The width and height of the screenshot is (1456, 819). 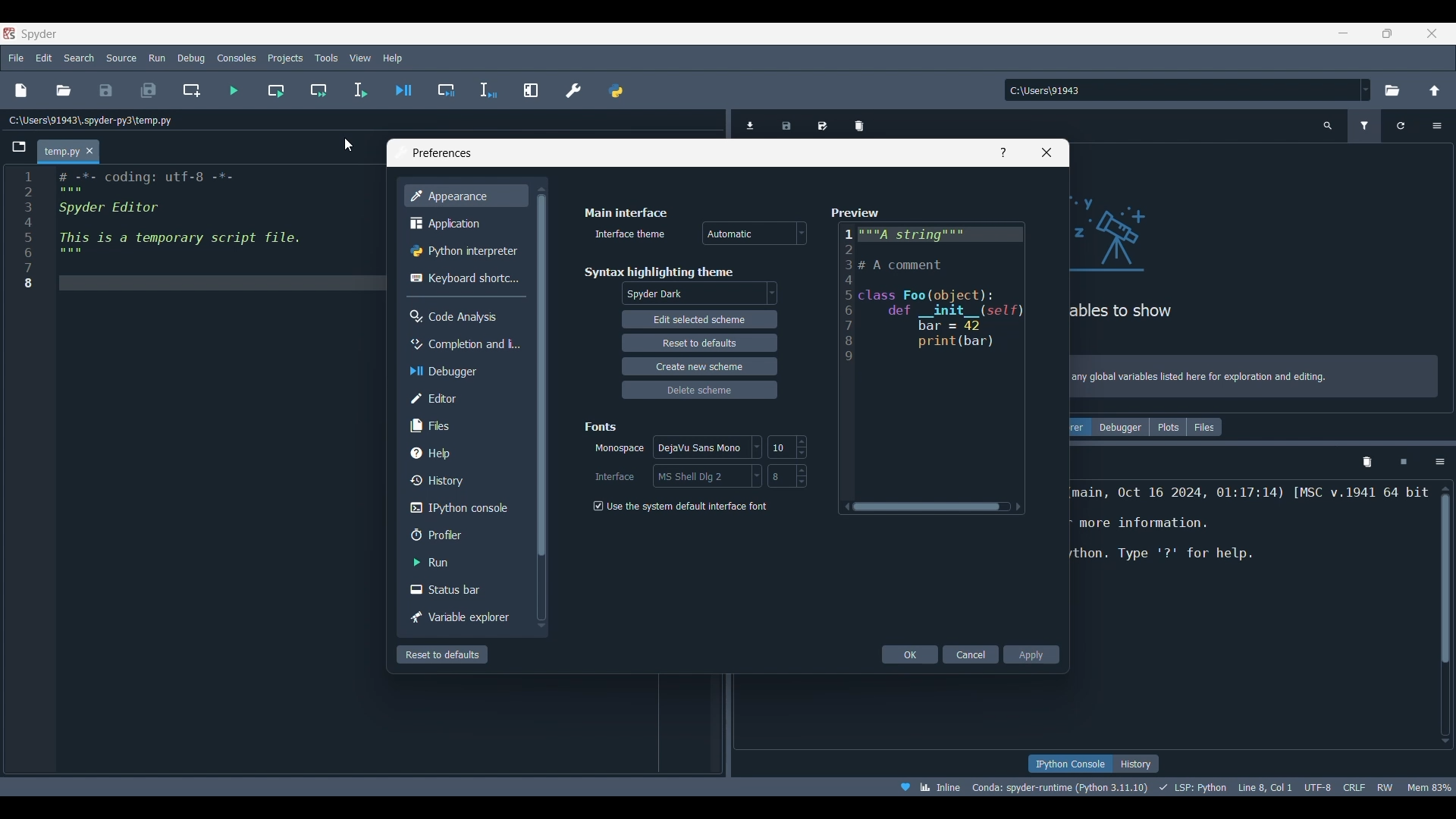 What do you see at coordinates (457, 315) in the screenshot?
I see `code analysis` at bounding box center [457, 315].